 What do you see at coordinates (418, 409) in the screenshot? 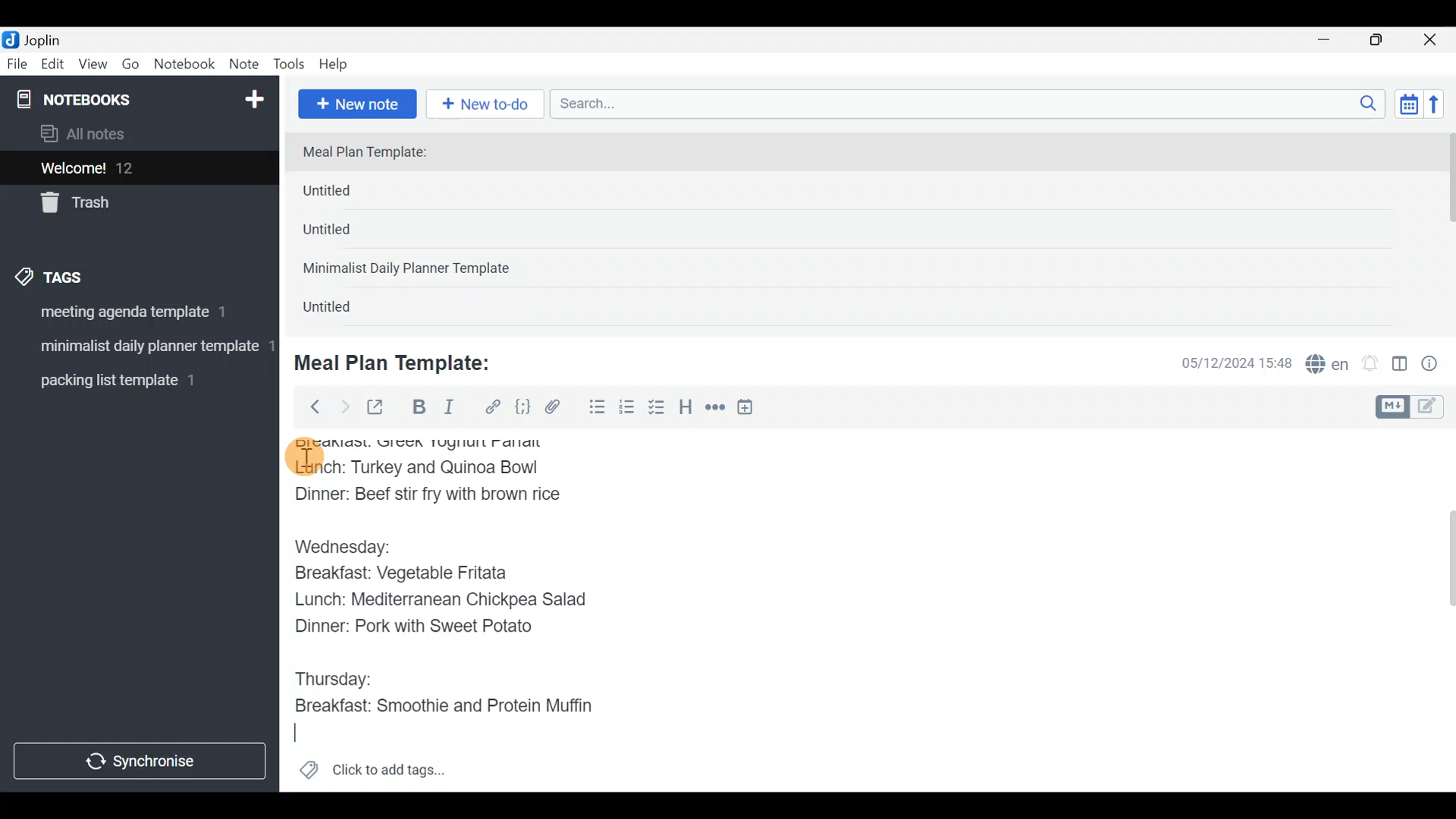
I see `Bold` at bounding box center [418, 409].